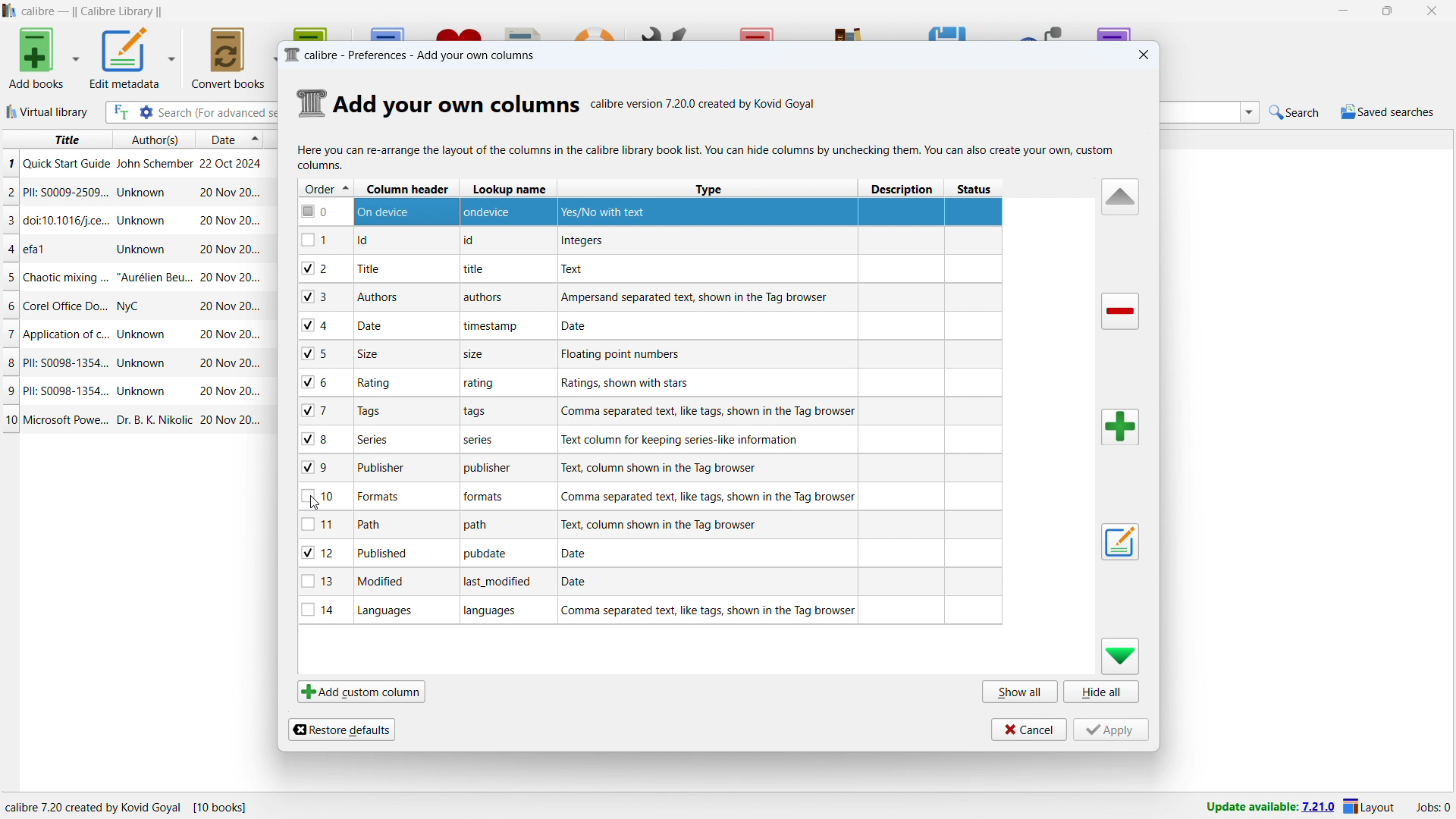  What do you see at coordinates (146, 112) in the screenshot?
I see `advanced search` at bounding box center [146, 112].